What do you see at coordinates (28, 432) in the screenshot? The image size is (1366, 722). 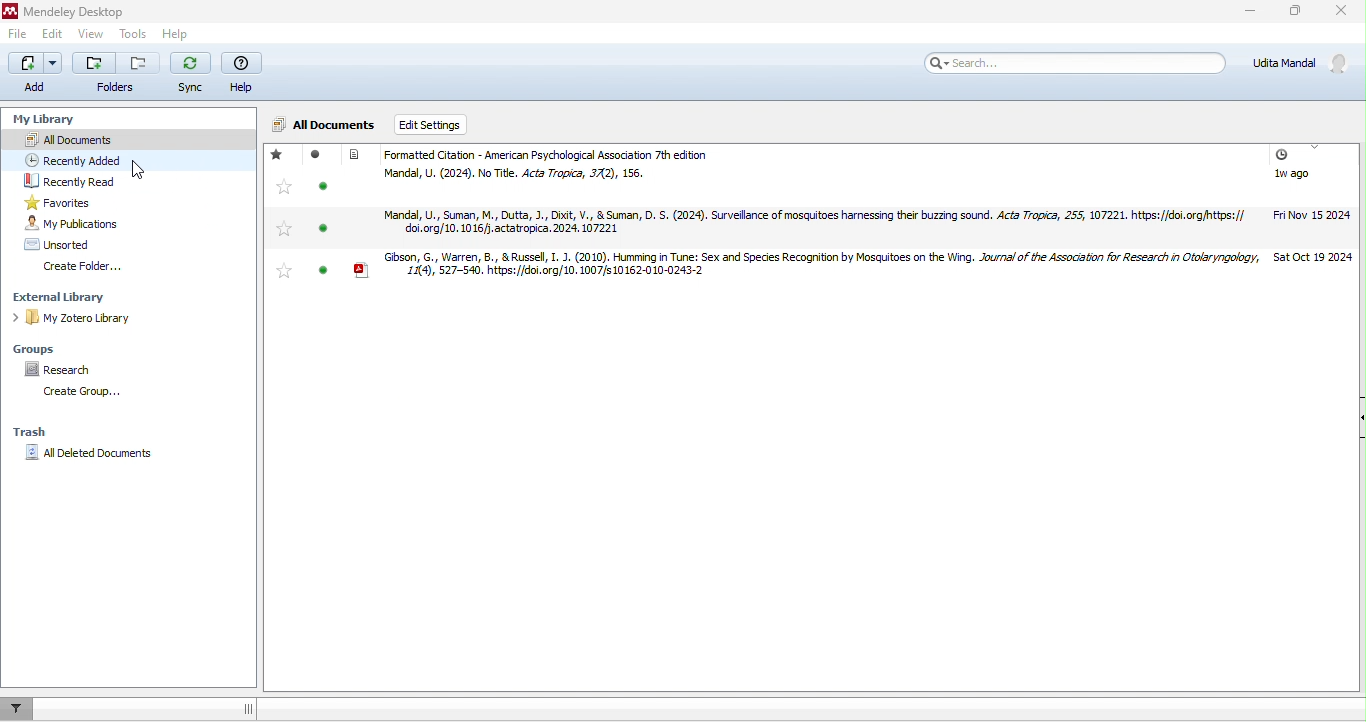 I see `Trash` at bounding box center [28, 432].